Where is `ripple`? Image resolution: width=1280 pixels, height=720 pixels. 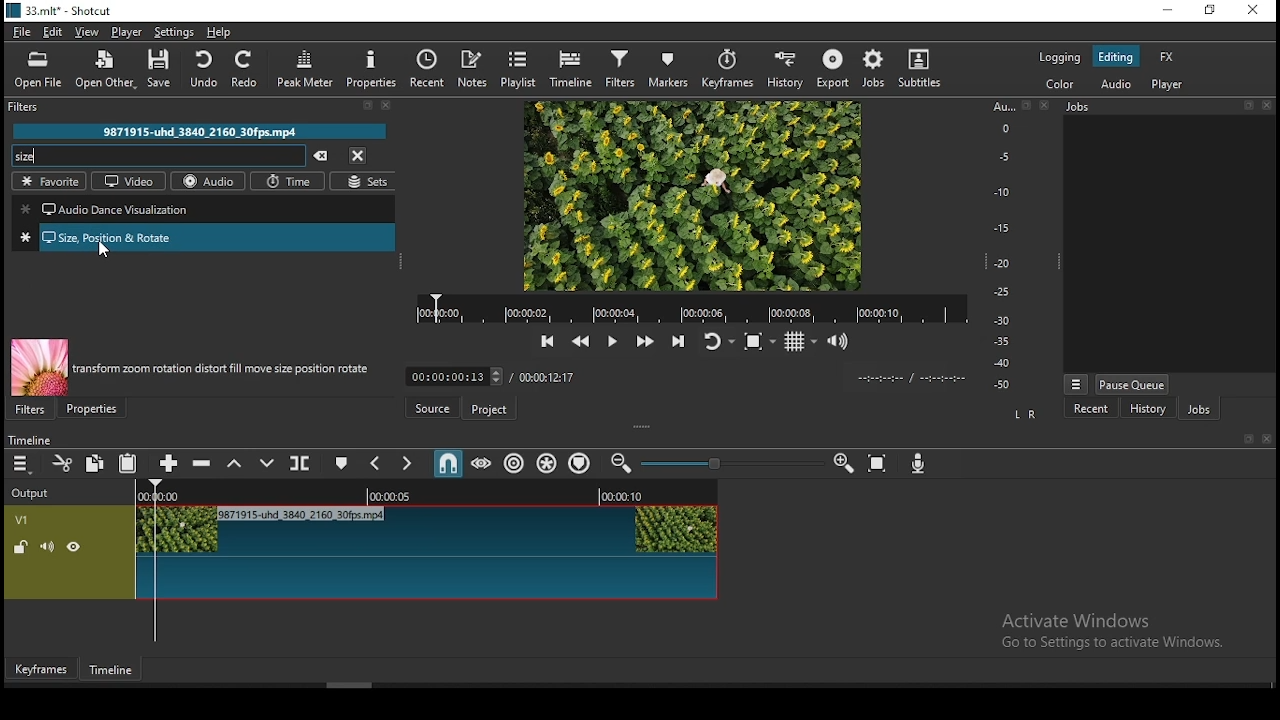
ripple is located at coordinates (514, 463).